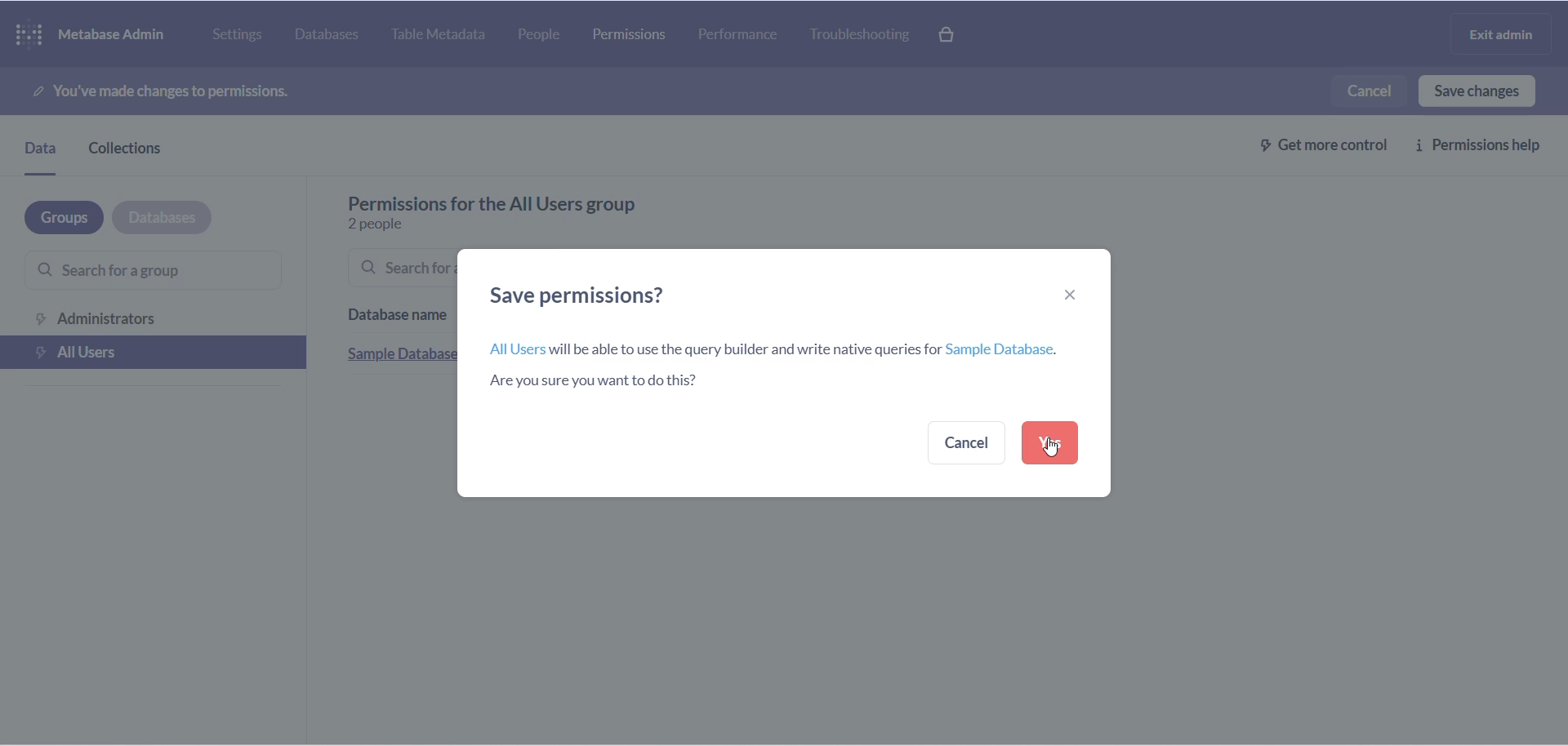 This screenshot has width=1568, height=746. I want to click on sample database, so click(398, 353).